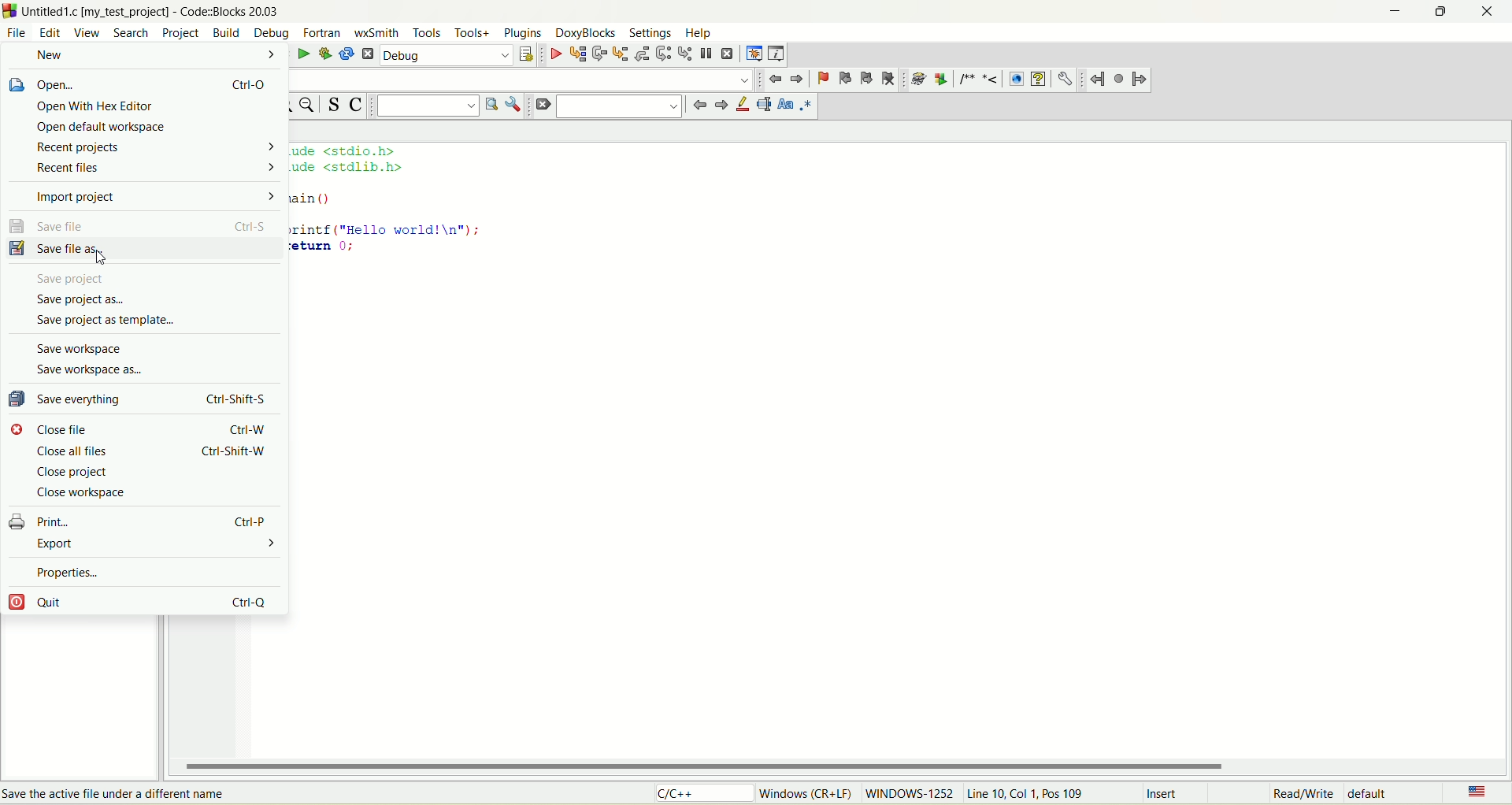  Describe the element at coordinates (908, 796) in the screenshot. I see `WINDOWS-1252` at that location.